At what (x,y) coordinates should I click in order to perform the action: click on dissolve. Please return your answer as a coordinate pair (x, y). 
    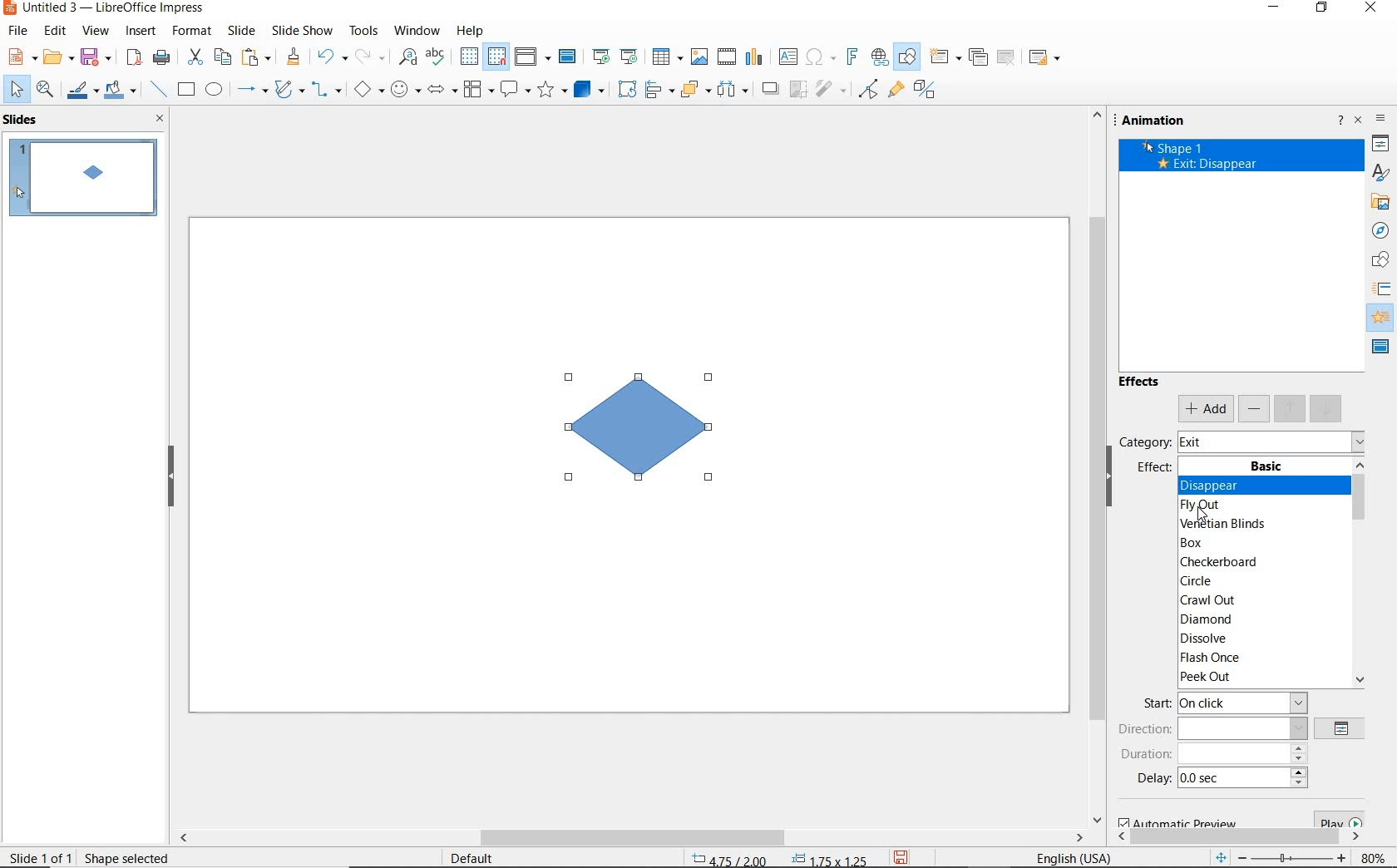
    Looking at the image, I should click on (1261, 639).